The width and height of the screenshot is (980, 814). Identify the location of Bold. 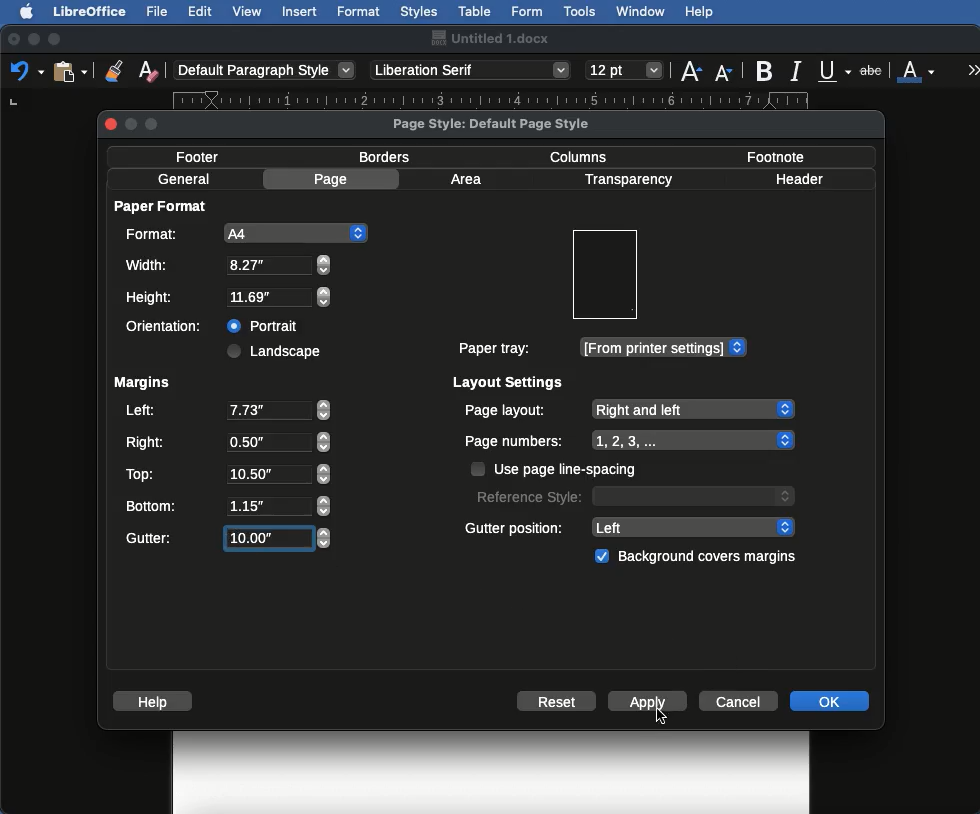
(766, 71).